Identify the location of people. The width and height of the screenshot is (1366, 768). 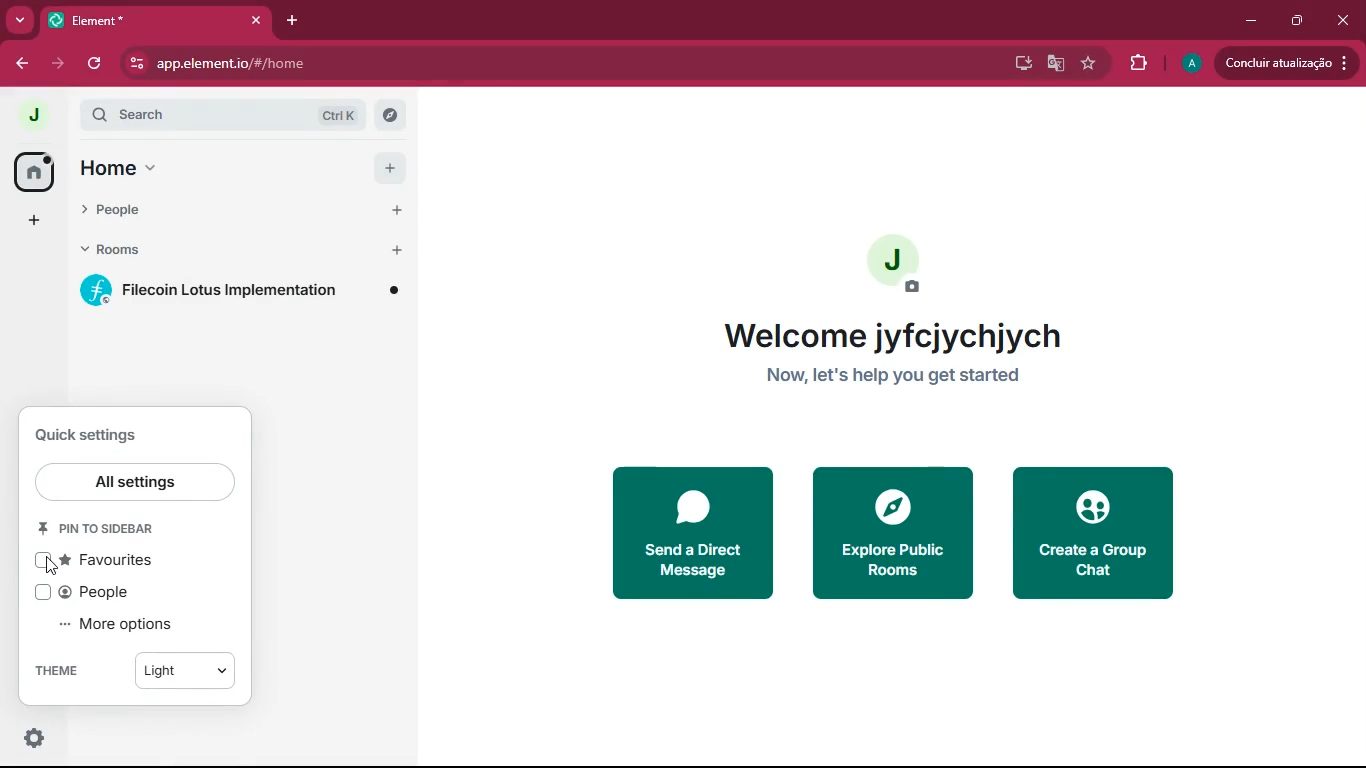
(100, 593).